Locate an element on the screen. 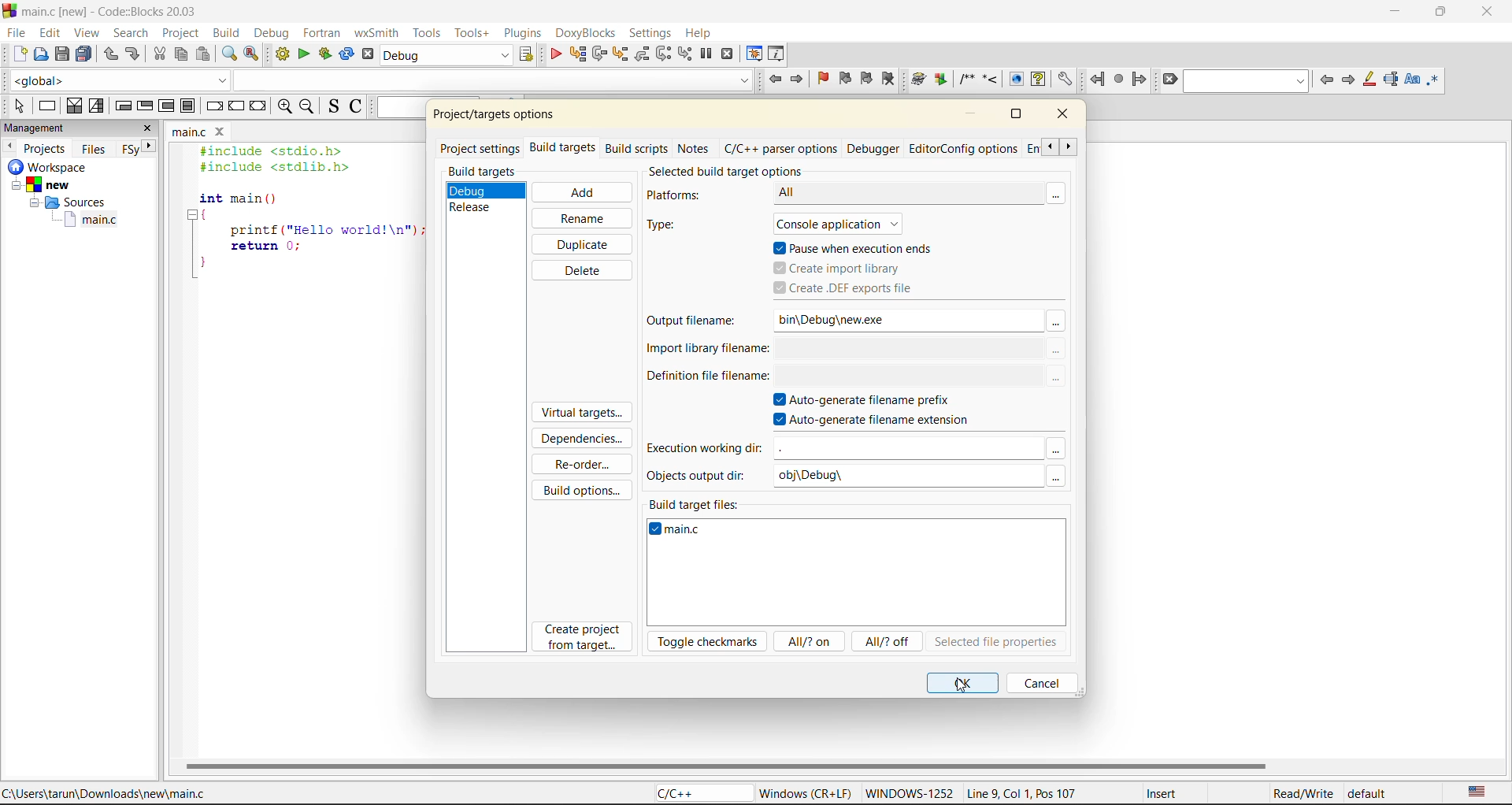  c/c++ parser options is located at coordinates (780, 149).